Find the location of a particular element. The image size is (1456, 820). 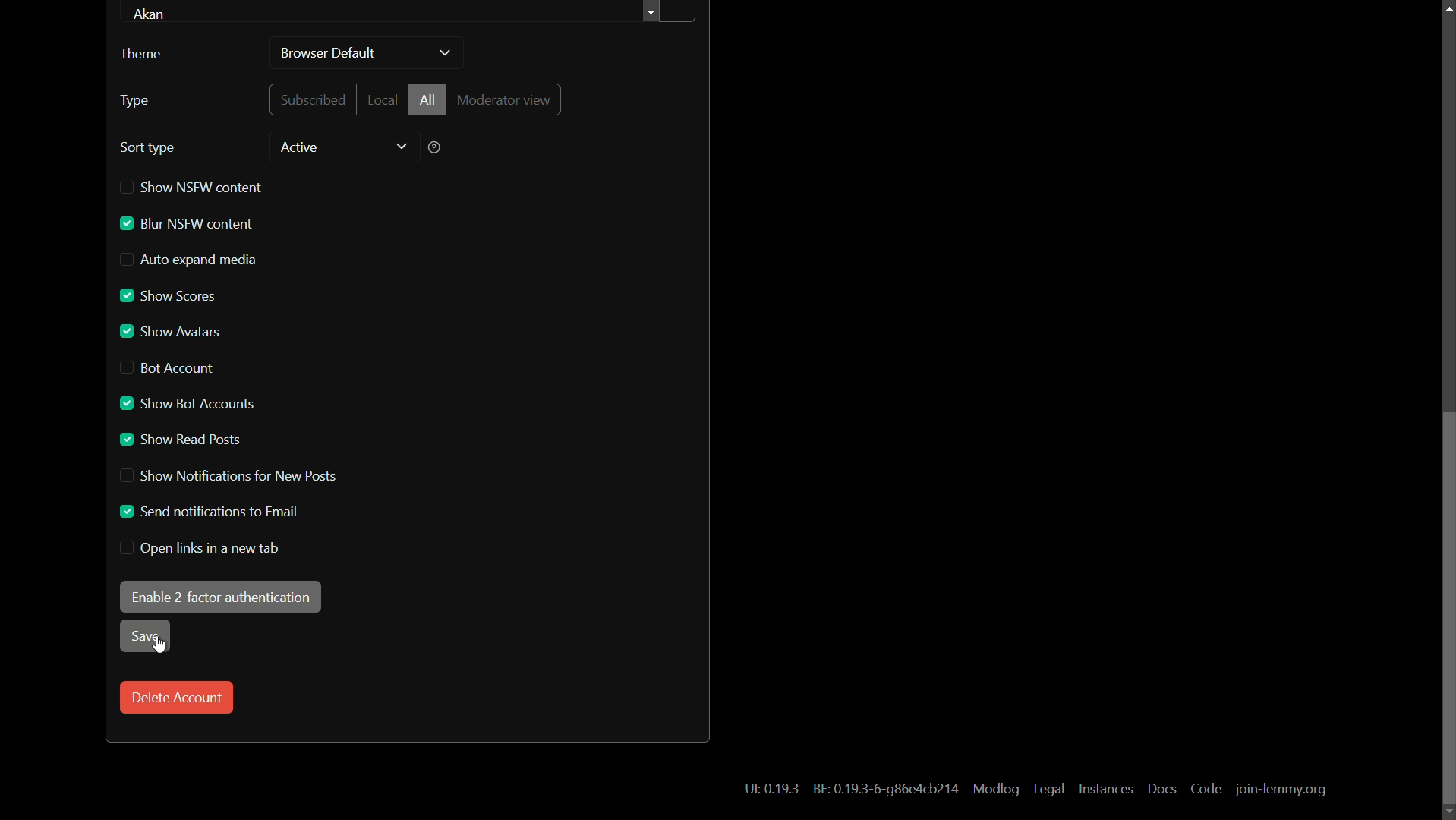

browser default is located at coordinates (329, 53).